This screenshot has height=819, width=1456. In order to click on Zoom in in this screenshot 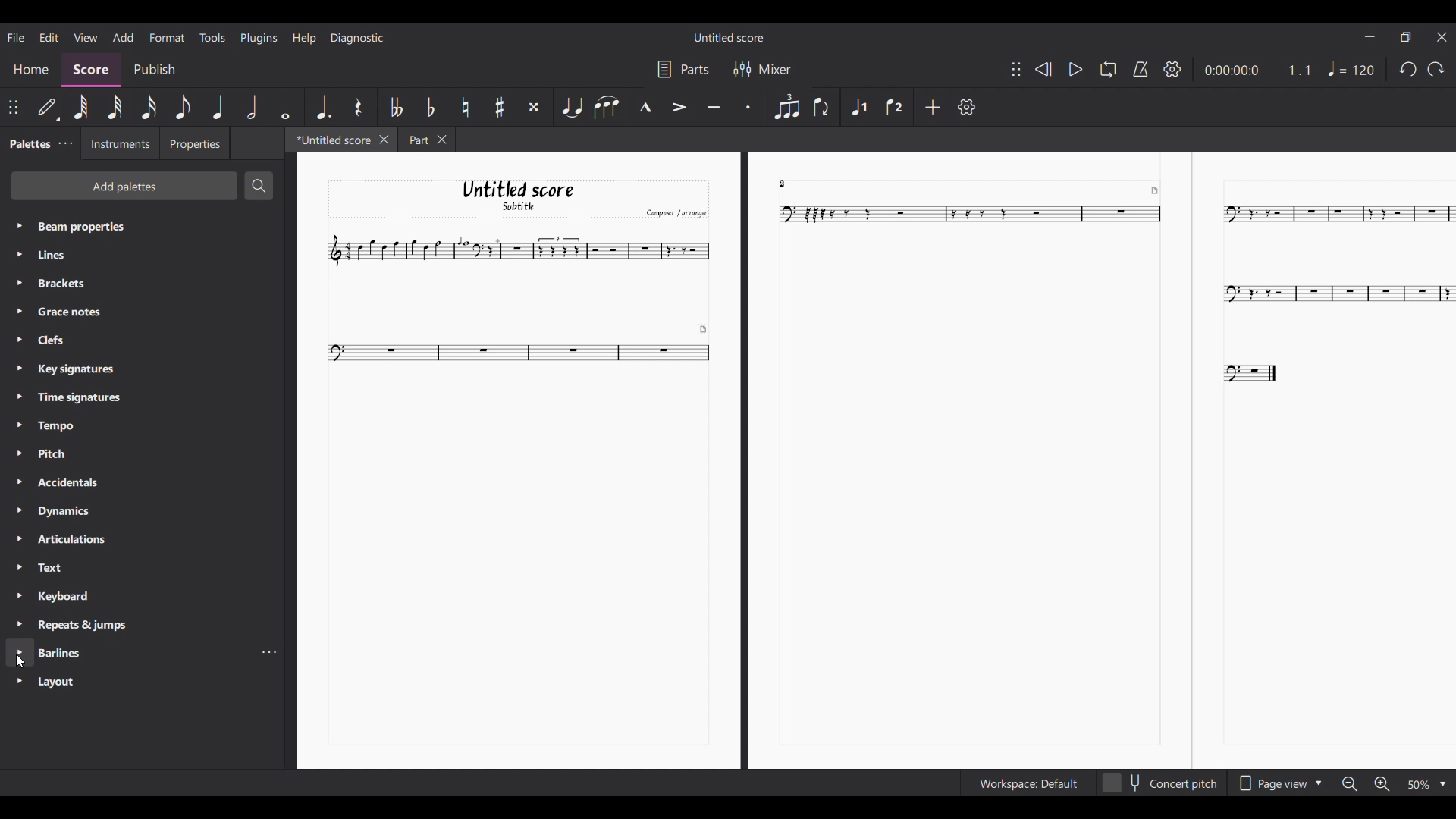, I will do `click(1382, 783)`.